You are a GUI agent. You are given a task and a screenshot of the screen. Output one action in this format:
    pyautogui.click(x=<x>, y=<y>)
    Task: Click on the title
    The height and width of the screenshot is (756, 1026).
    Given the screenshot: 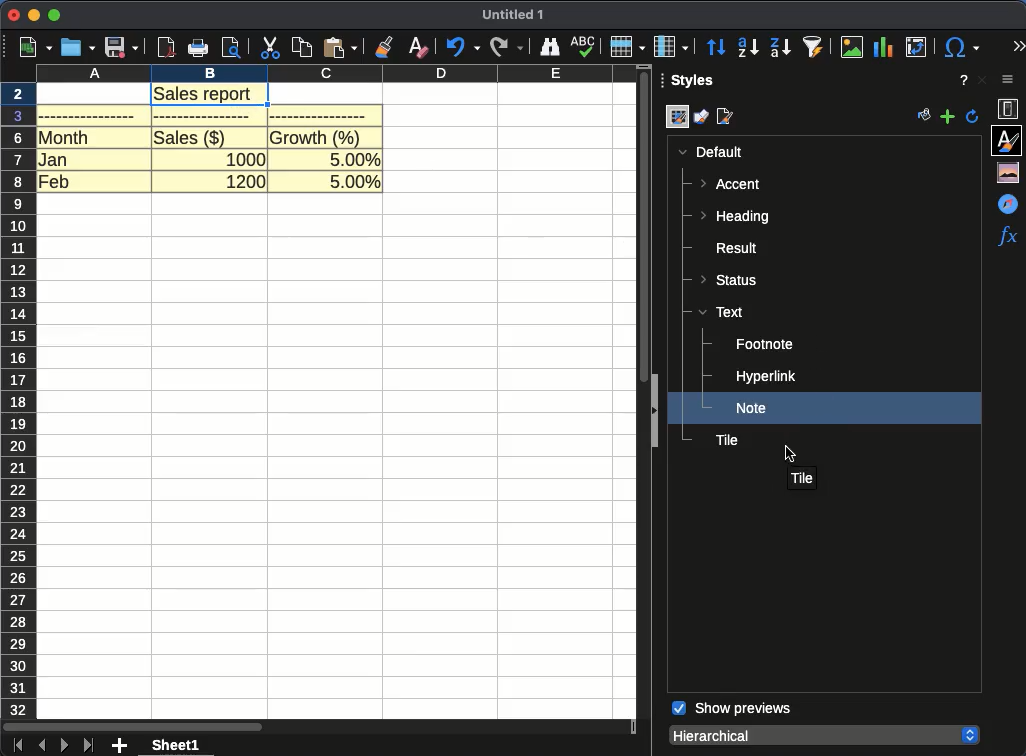 What is the action you would take?
    pyautogui.click(x=800, y=479)
    